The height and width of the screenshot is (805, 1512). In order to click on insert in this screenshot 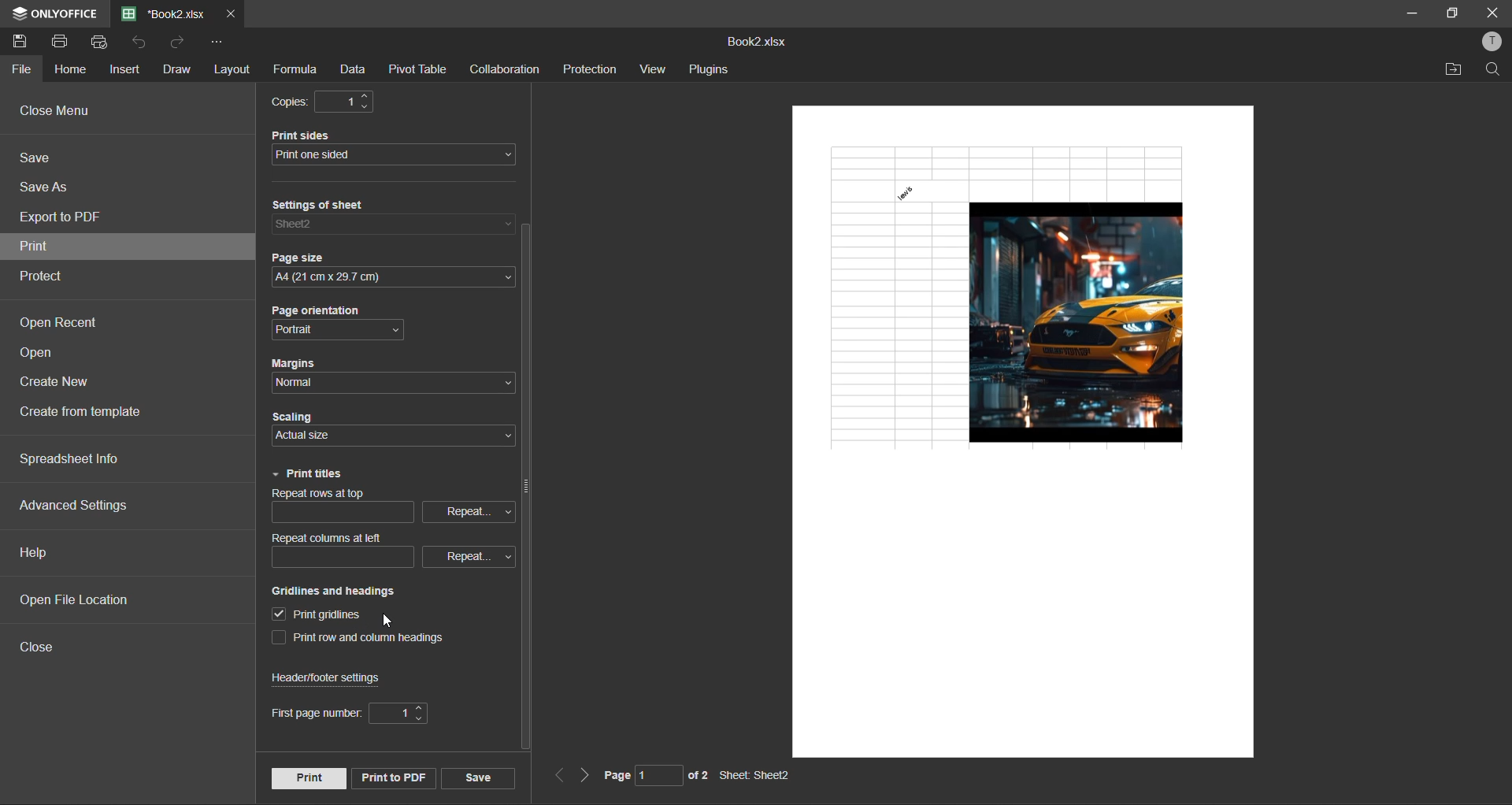, I will do `click(122, 69)`.